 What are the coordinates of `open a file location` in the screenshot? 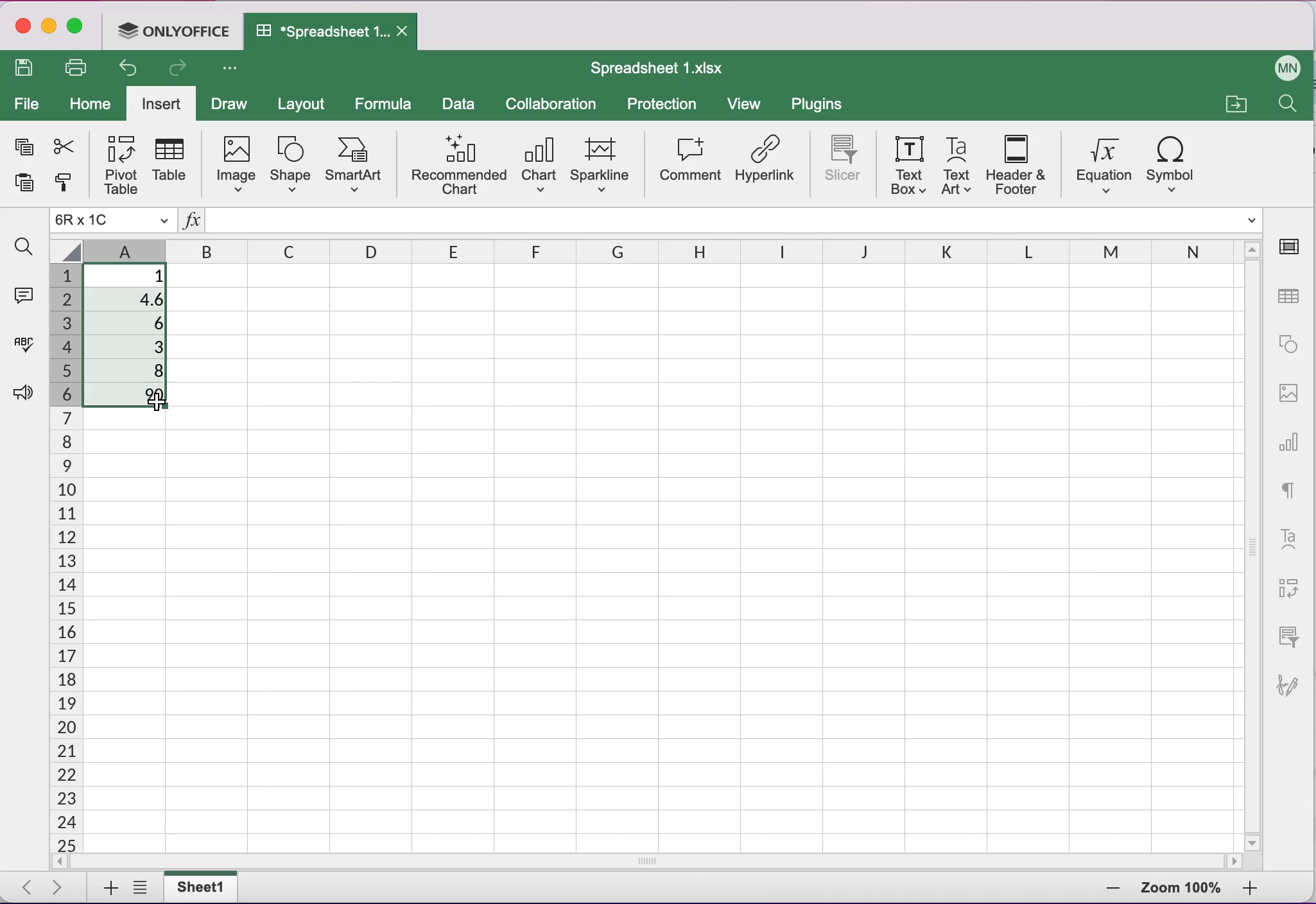 It's located at (1239, 105).